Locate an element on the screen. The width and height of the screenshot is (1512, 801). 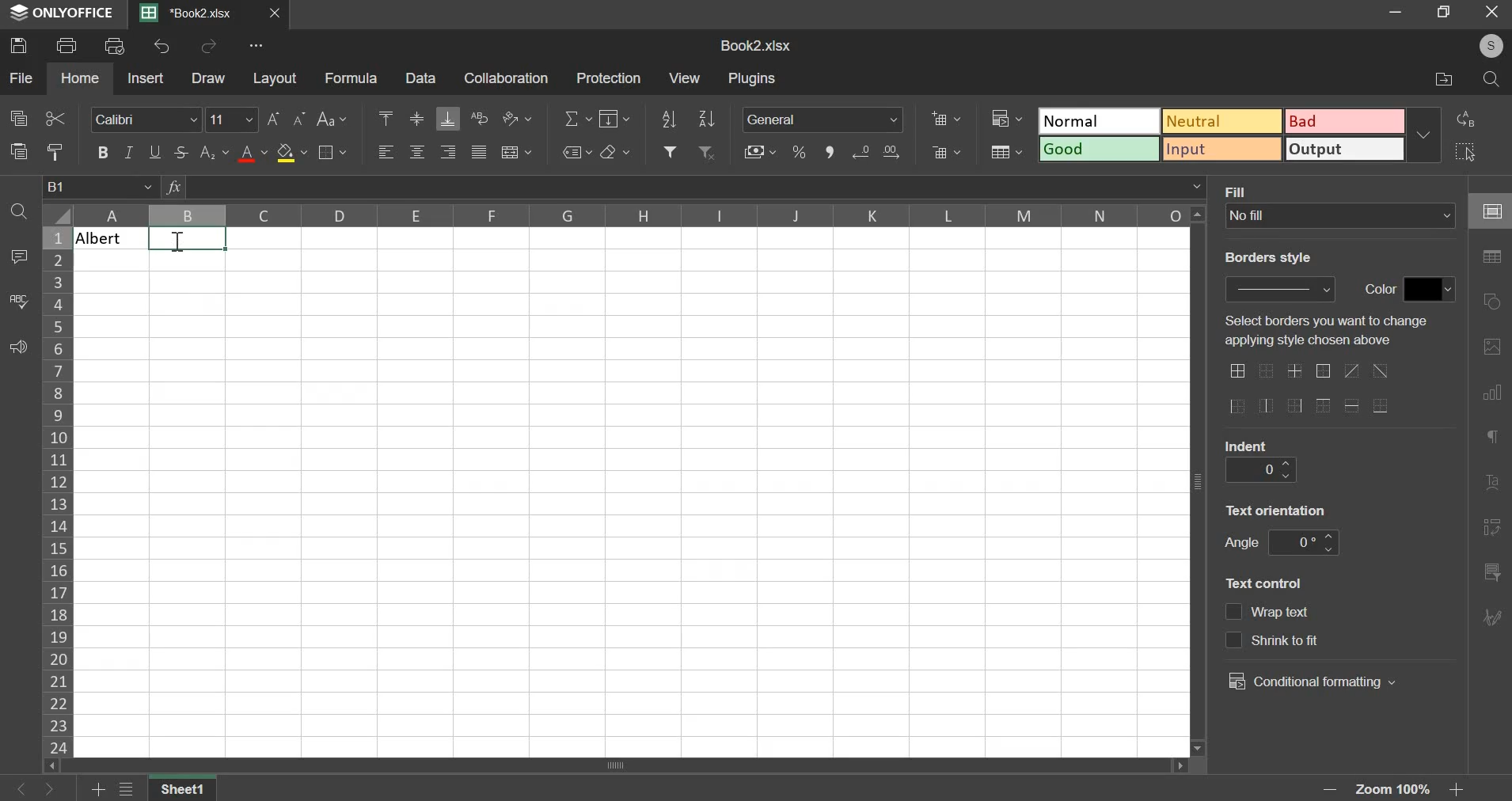
spreadsheet is located at coordinates (754, 44).